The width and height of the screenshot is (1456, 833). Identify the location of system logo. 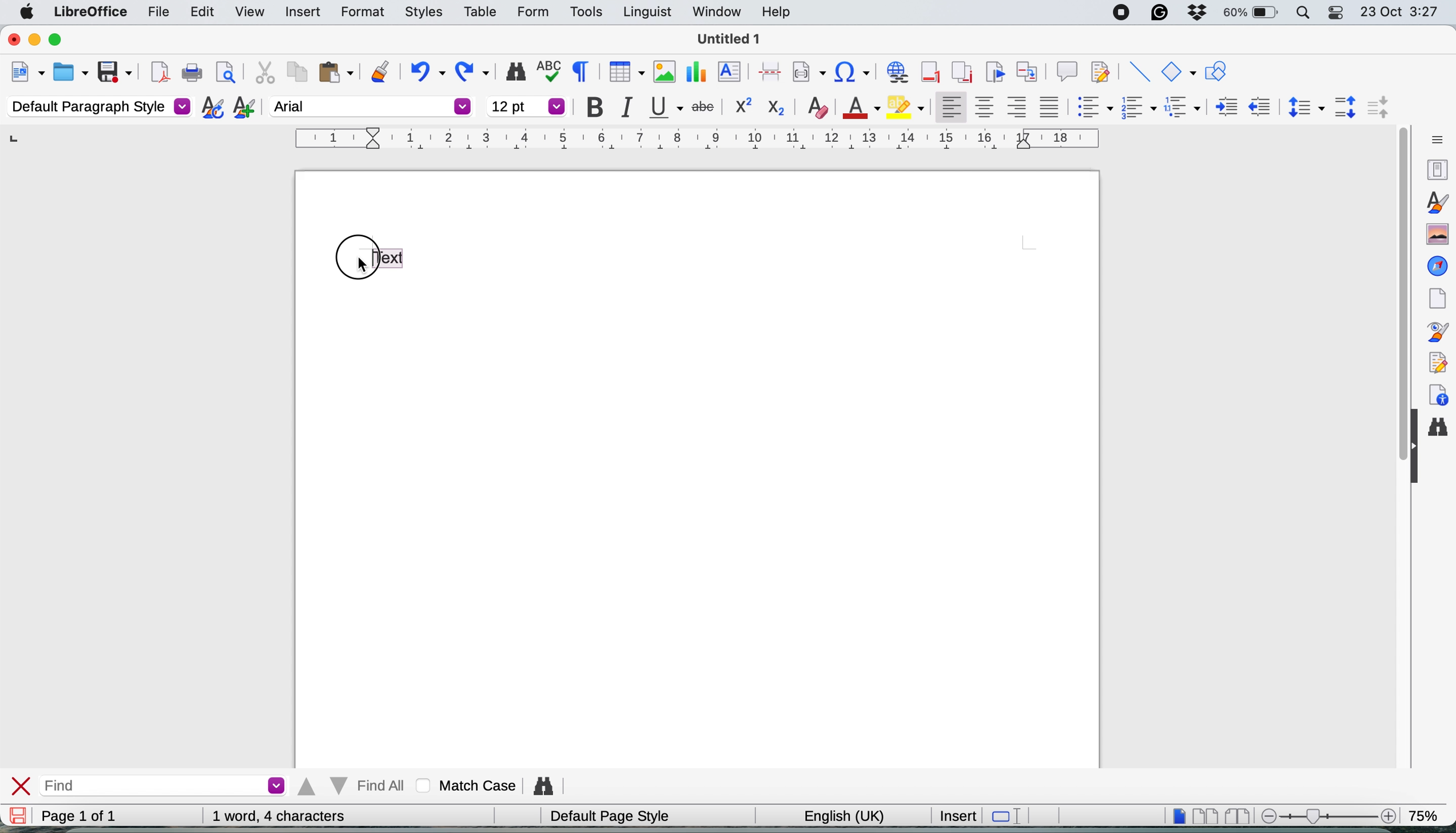
(27, 12).